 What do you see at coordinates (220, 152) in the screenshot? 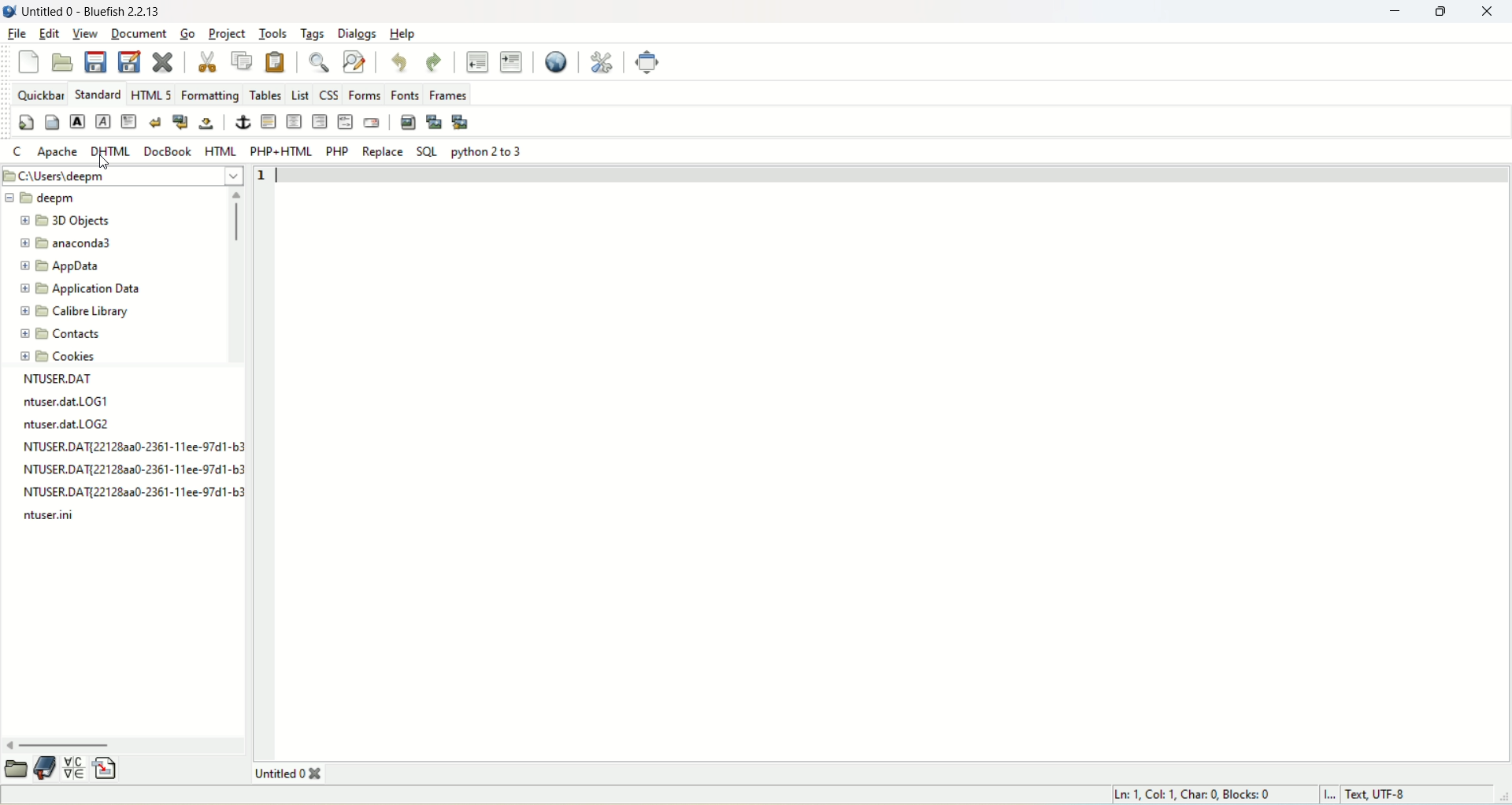
I see `HTML` at bounding box center [220, 152].